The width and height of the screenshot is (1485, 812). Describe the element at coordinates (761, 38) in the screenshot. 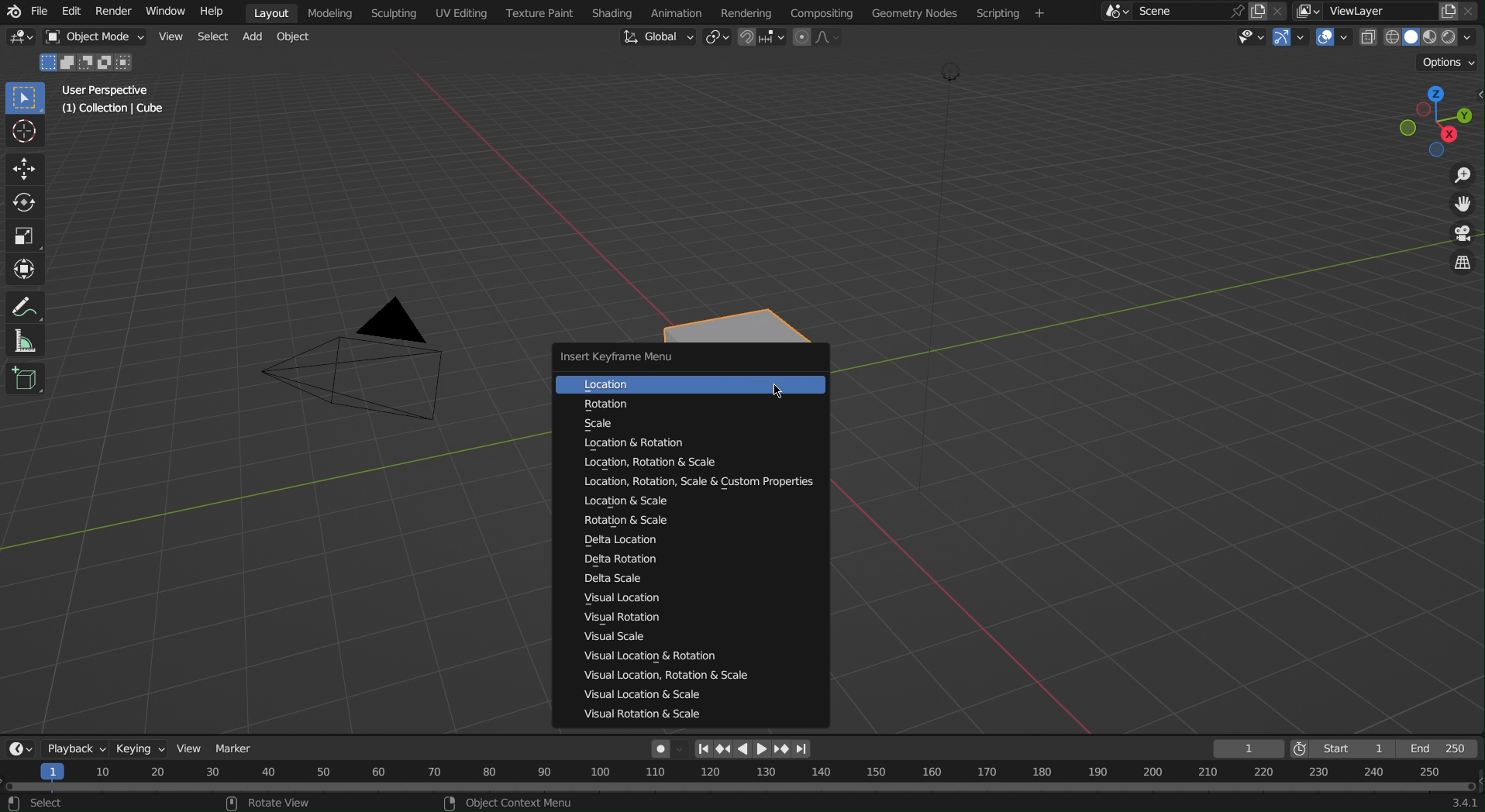

I see `Snap` at that location.